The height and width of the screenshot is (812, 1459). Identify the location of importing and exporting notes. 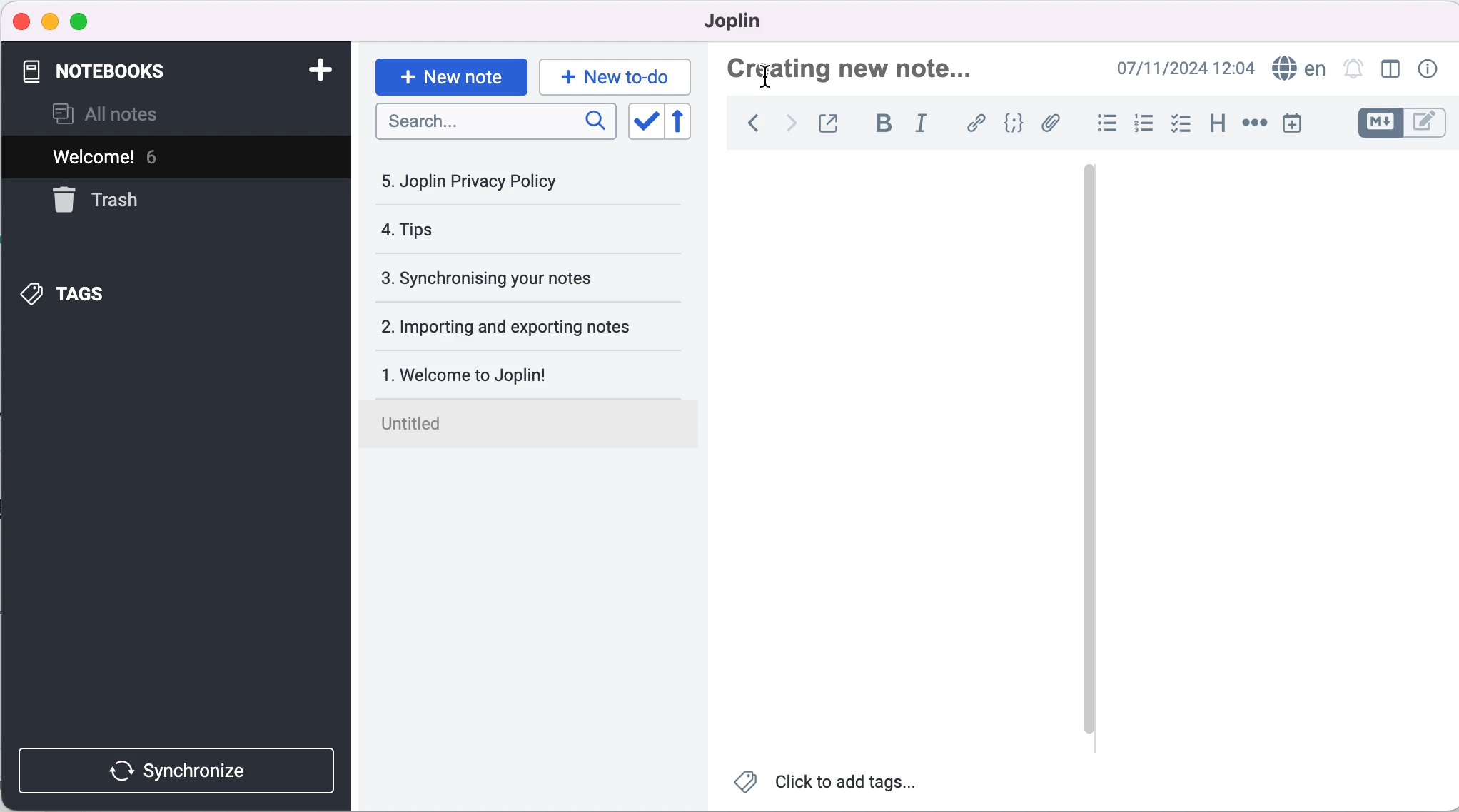
(529, 327).